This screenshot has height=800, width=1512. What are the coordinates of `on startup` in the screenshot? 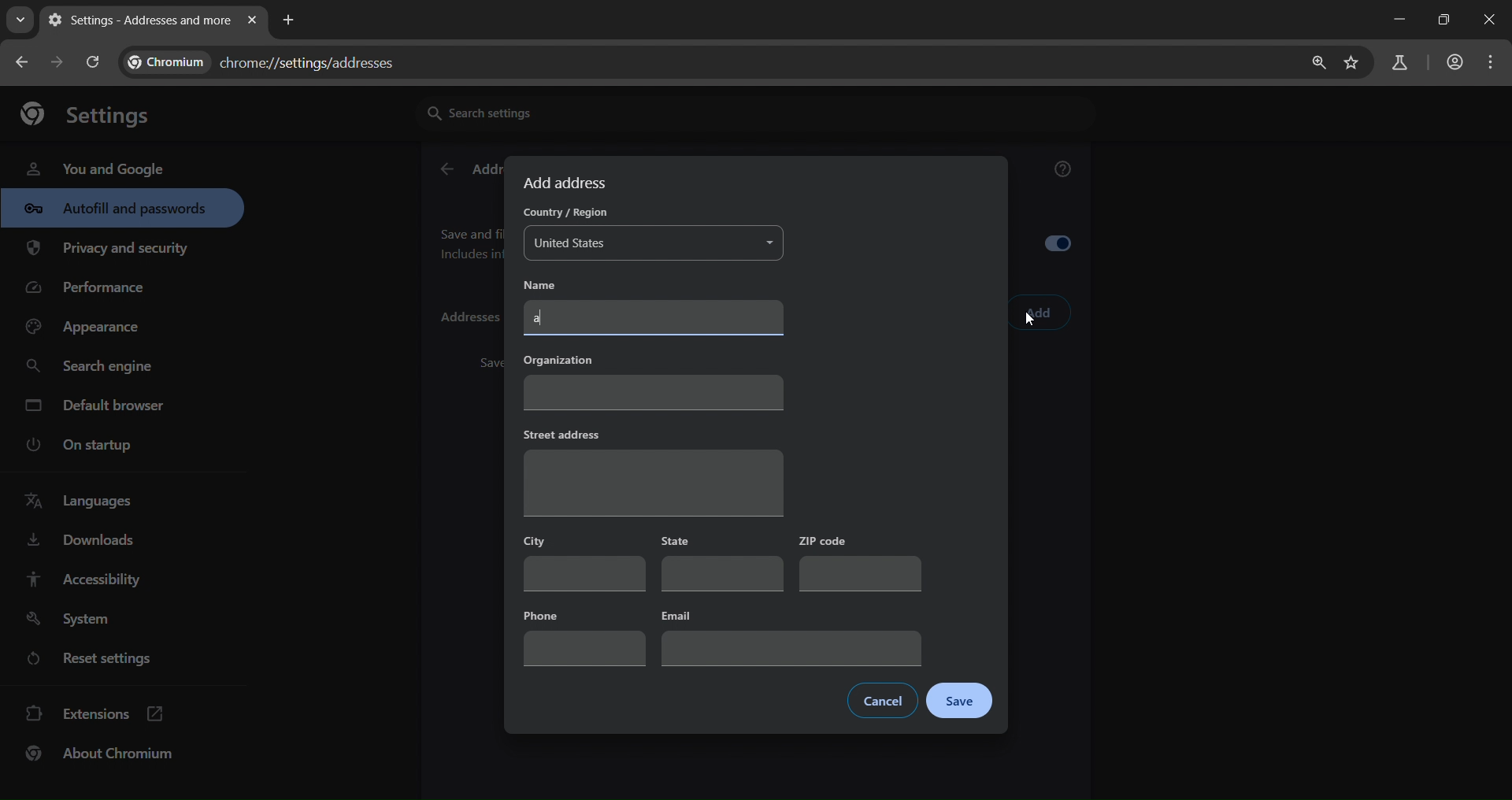 It's located at (90, 446).